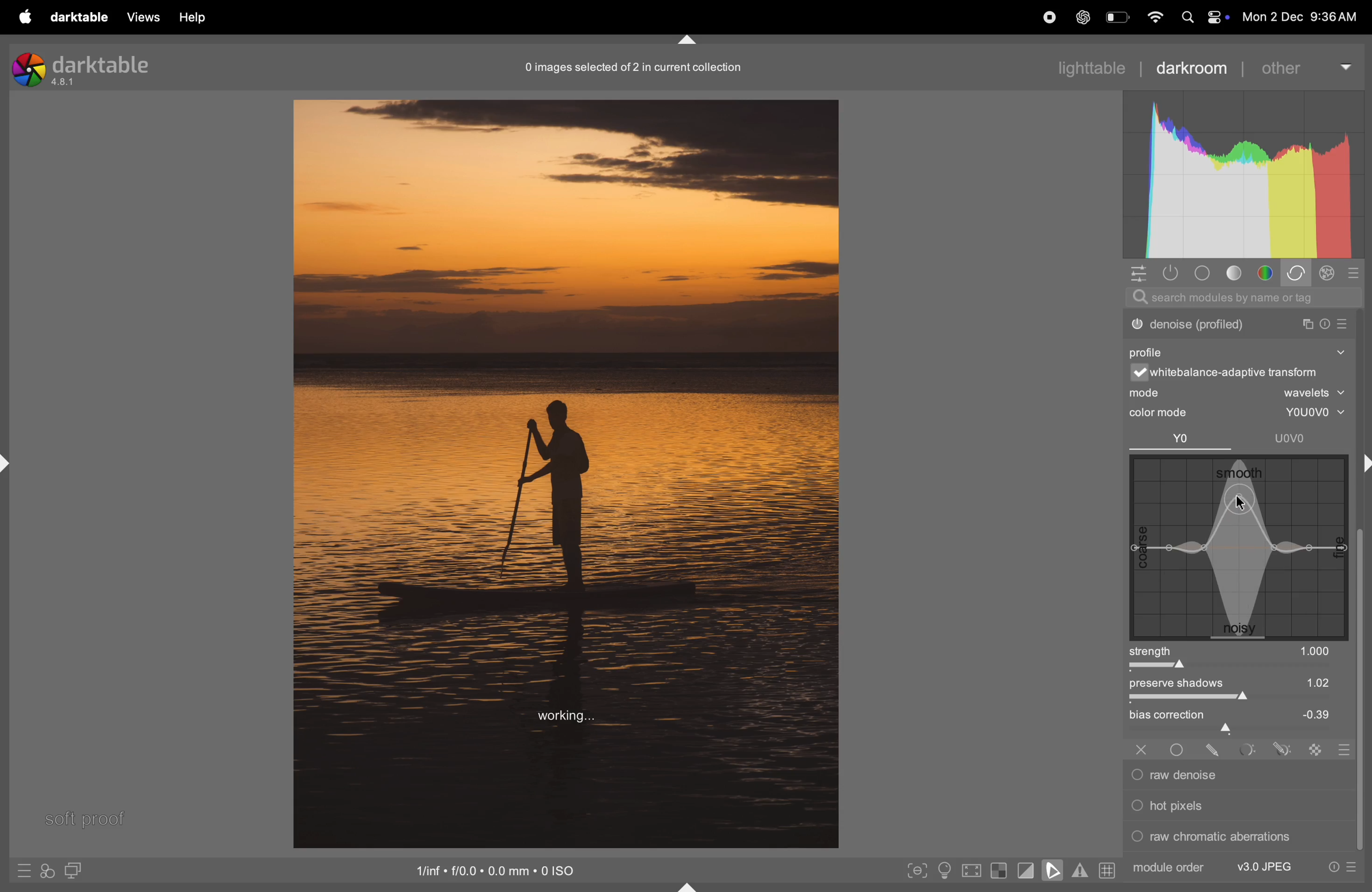 The image size is (1372, 892). What do you see at coordinates (1238, 322) in the screenshot?
I see `dither or posterize` at bounding box center [1238, 322].